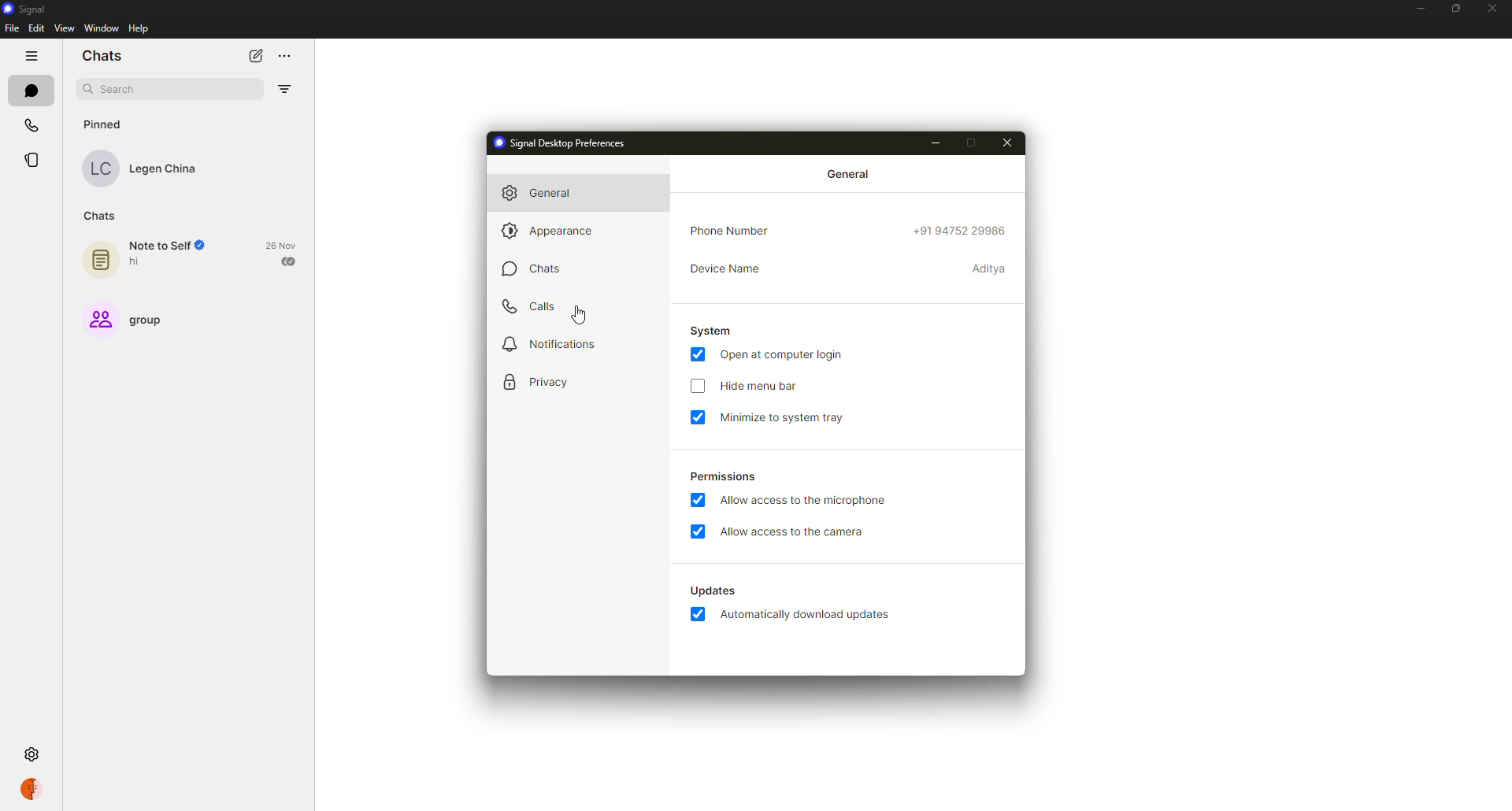  What do you see at coordinates (550, 229) in the screenshot?
I see `appearance` at bounding box center [550, 229].